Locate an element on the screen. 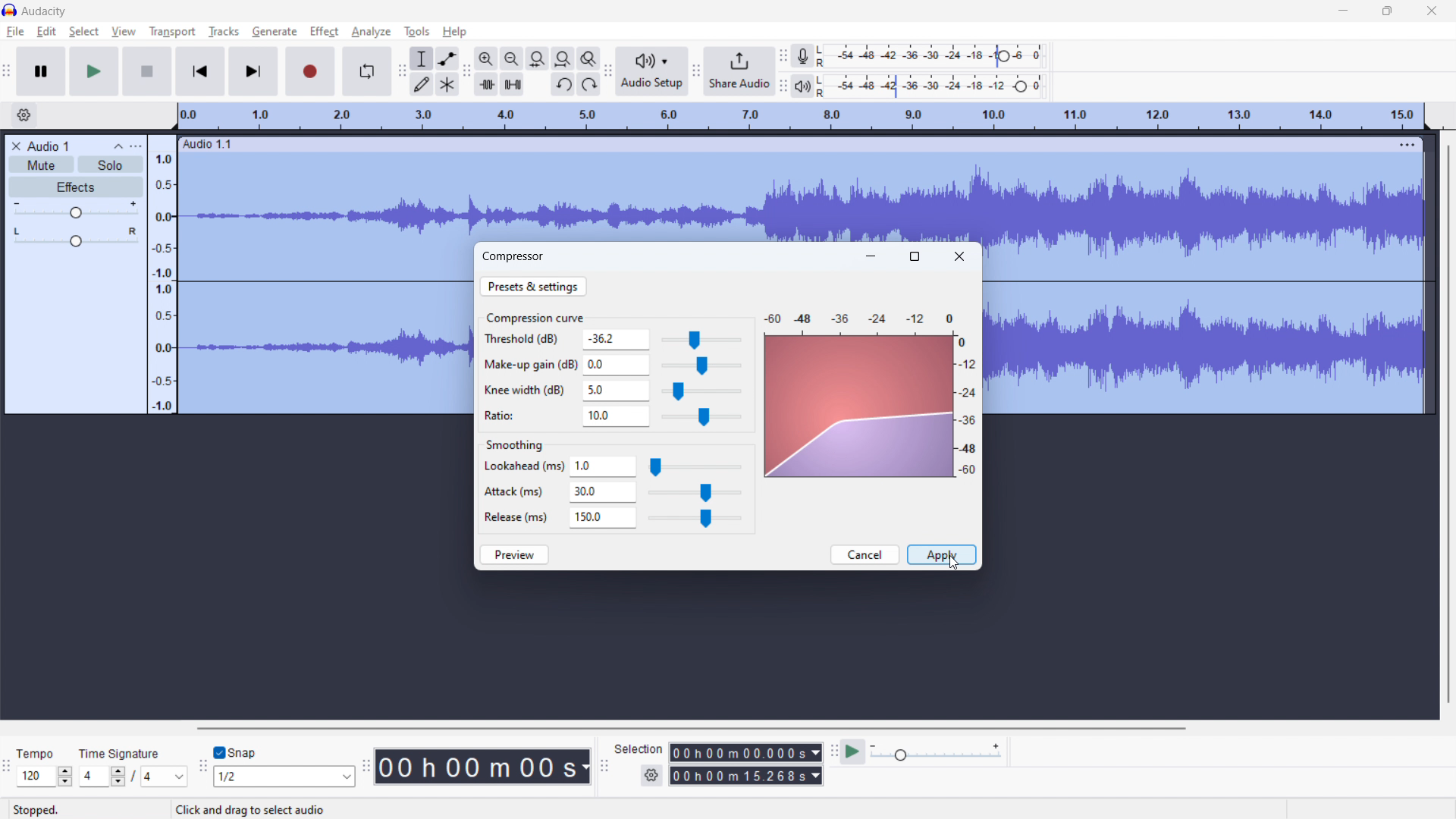 The image size is (1456, 819). collapse is located at coordinates (116, 146).